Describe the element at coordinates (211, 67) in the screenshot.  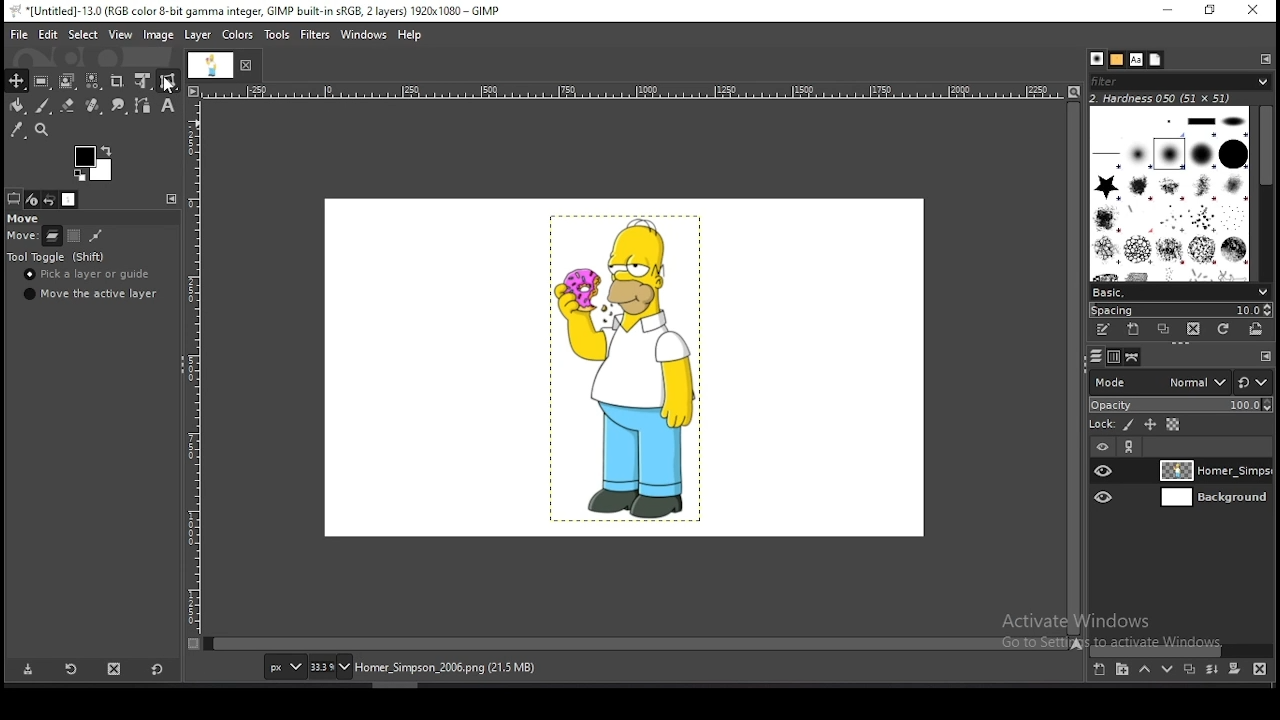
I see `document tab` at that location.